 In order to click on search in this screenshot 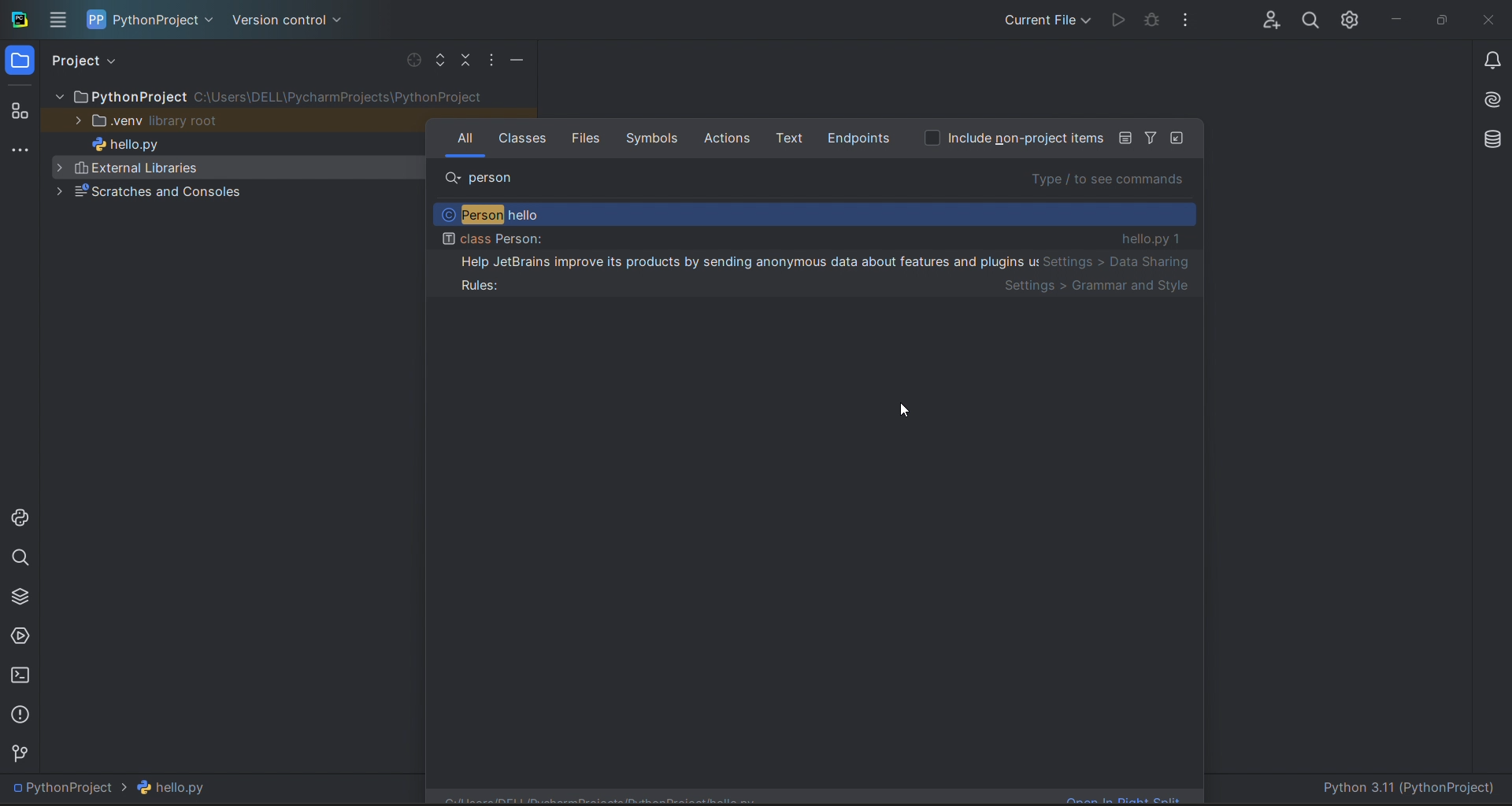, I will do `click(20, 557)`.